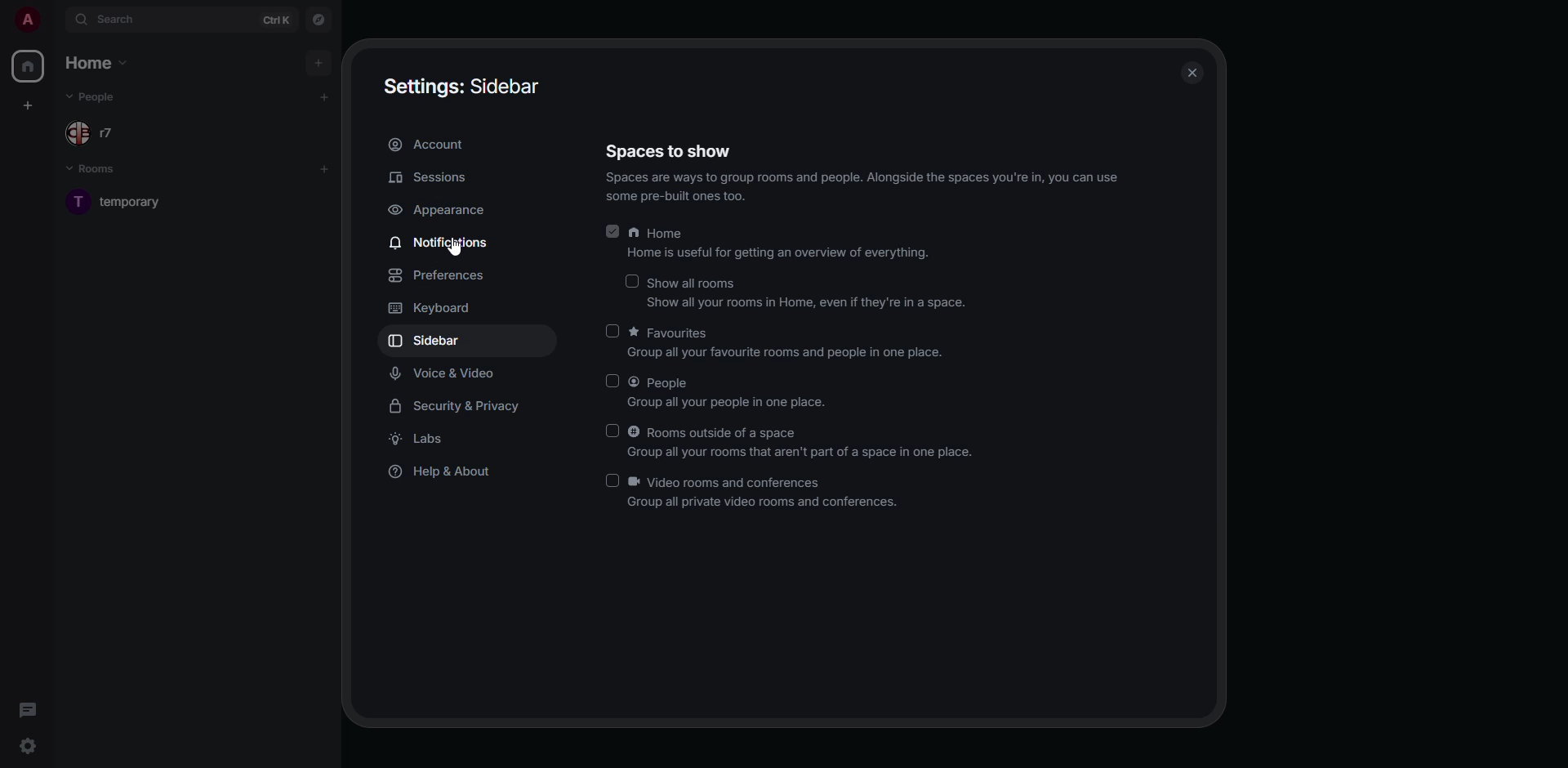  Describe the element at coordinates (101, 63) in the screenshot. I see `home` at that location.